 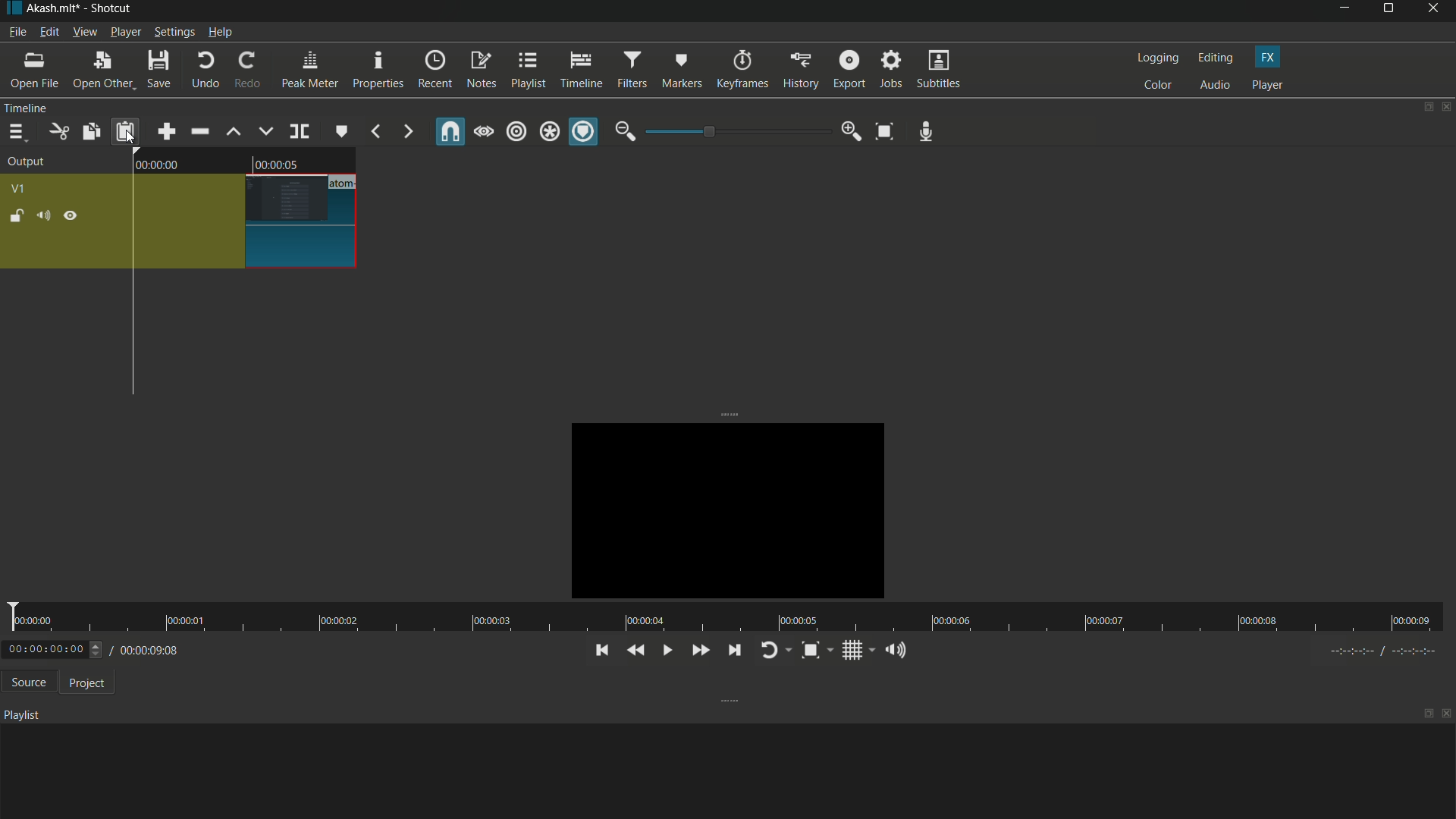 What do you see at coordinates (736, 132) in the screenshot?
I see `adjustment bar` at bounding box center [736, 132].